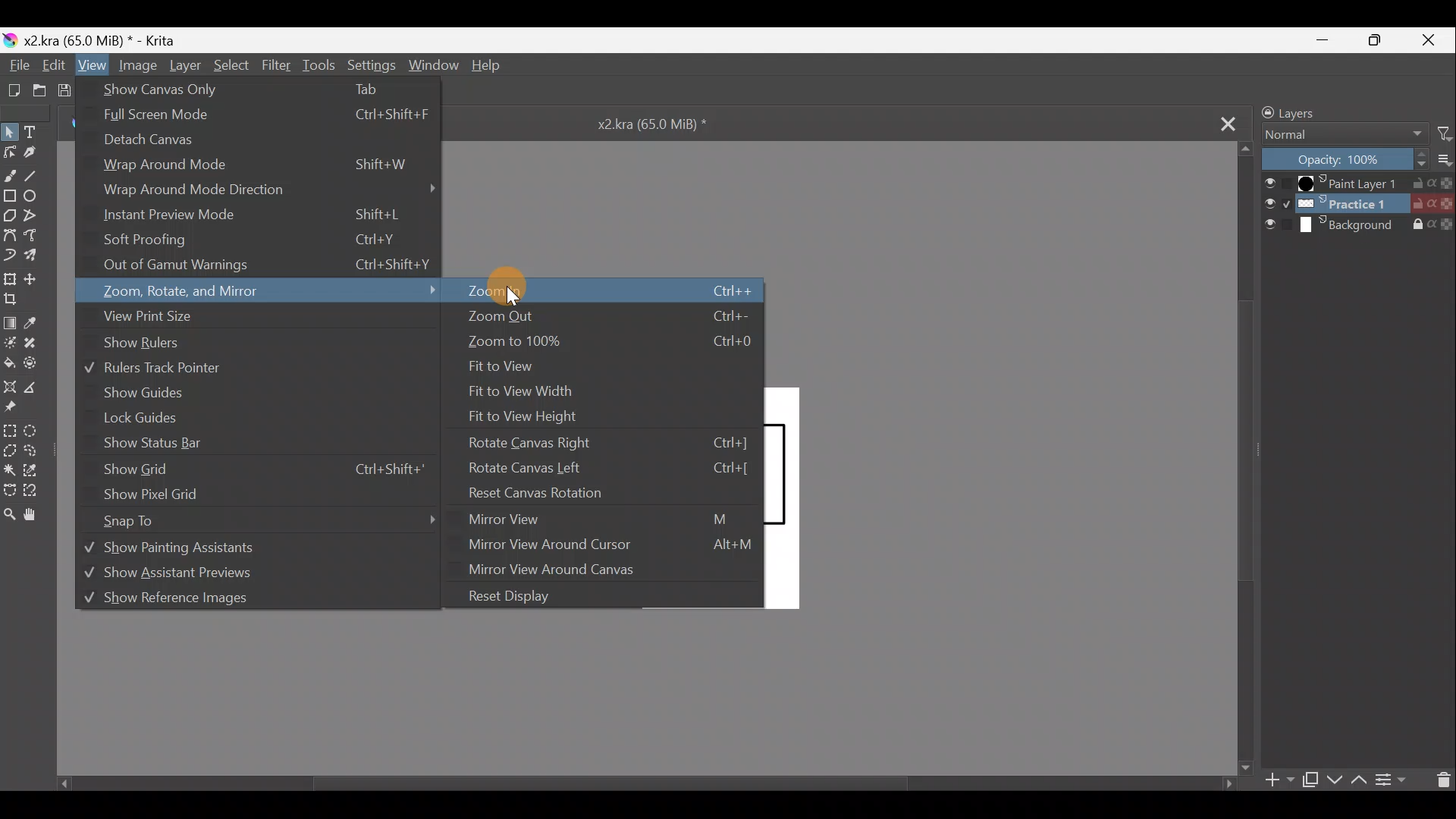 This screenshot has height=819, width=1456. What do you see at coordinates (1359, 782) in the screenshot?
I see `Move layer/mask up` at bounding box center [1359, 782].